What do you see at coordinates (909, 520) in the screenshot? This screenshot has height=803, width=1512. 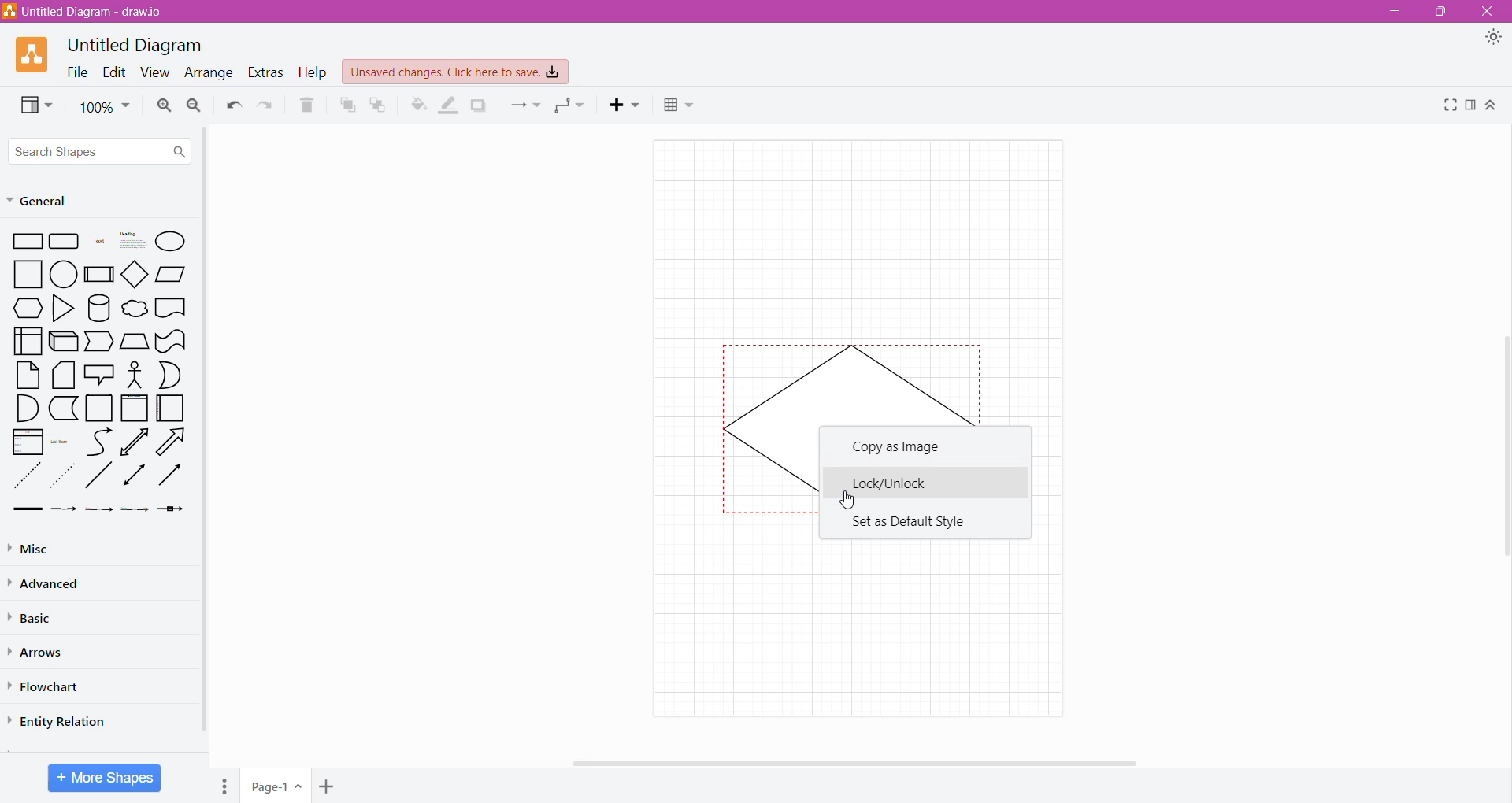 I see `Set as Default Style` at bounding box center [909, 520].